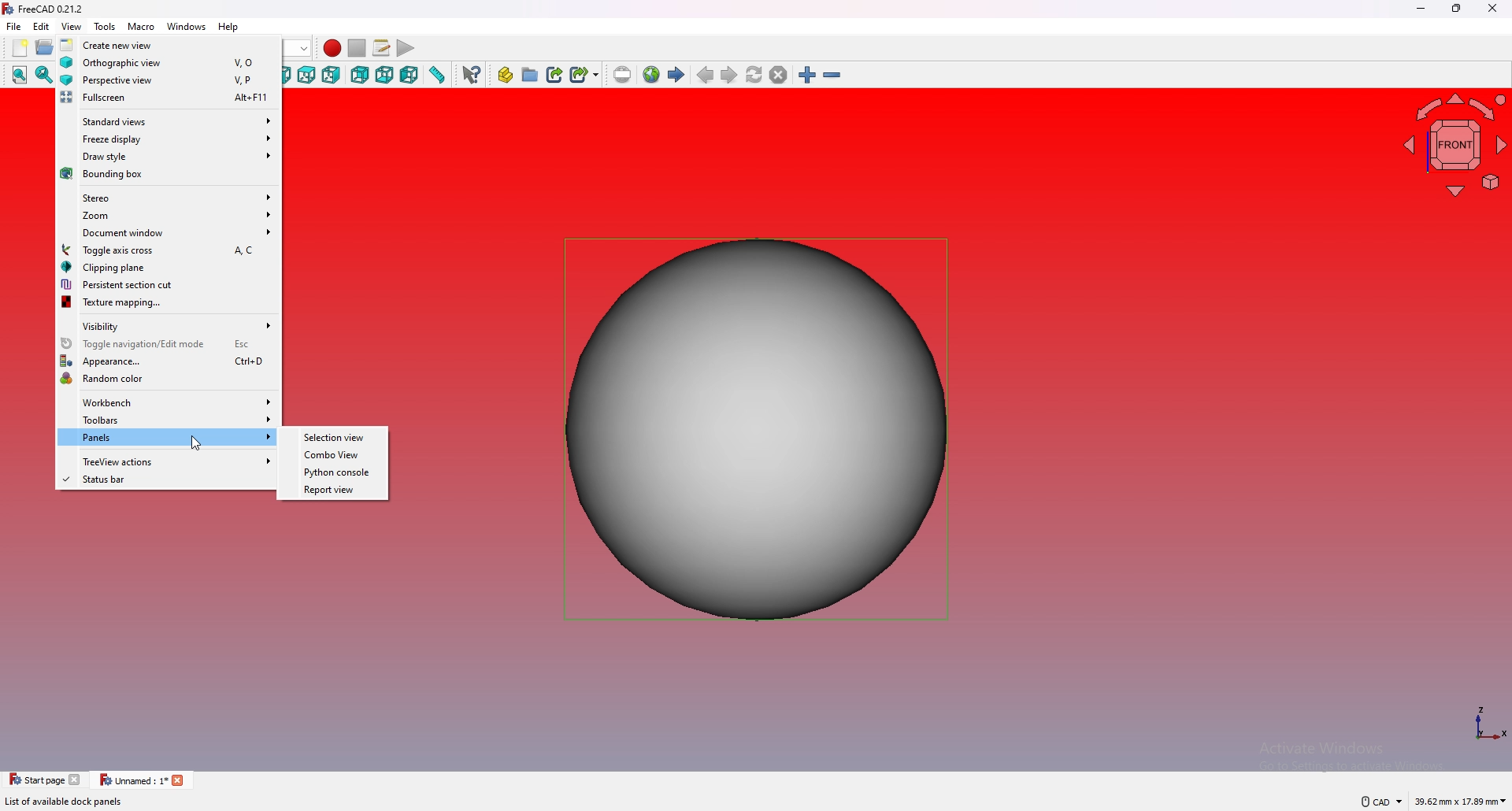 Image resolution: width=1512 pixels, height=811 pixels. I want to click on toggle axis cross, so click(169, 250).